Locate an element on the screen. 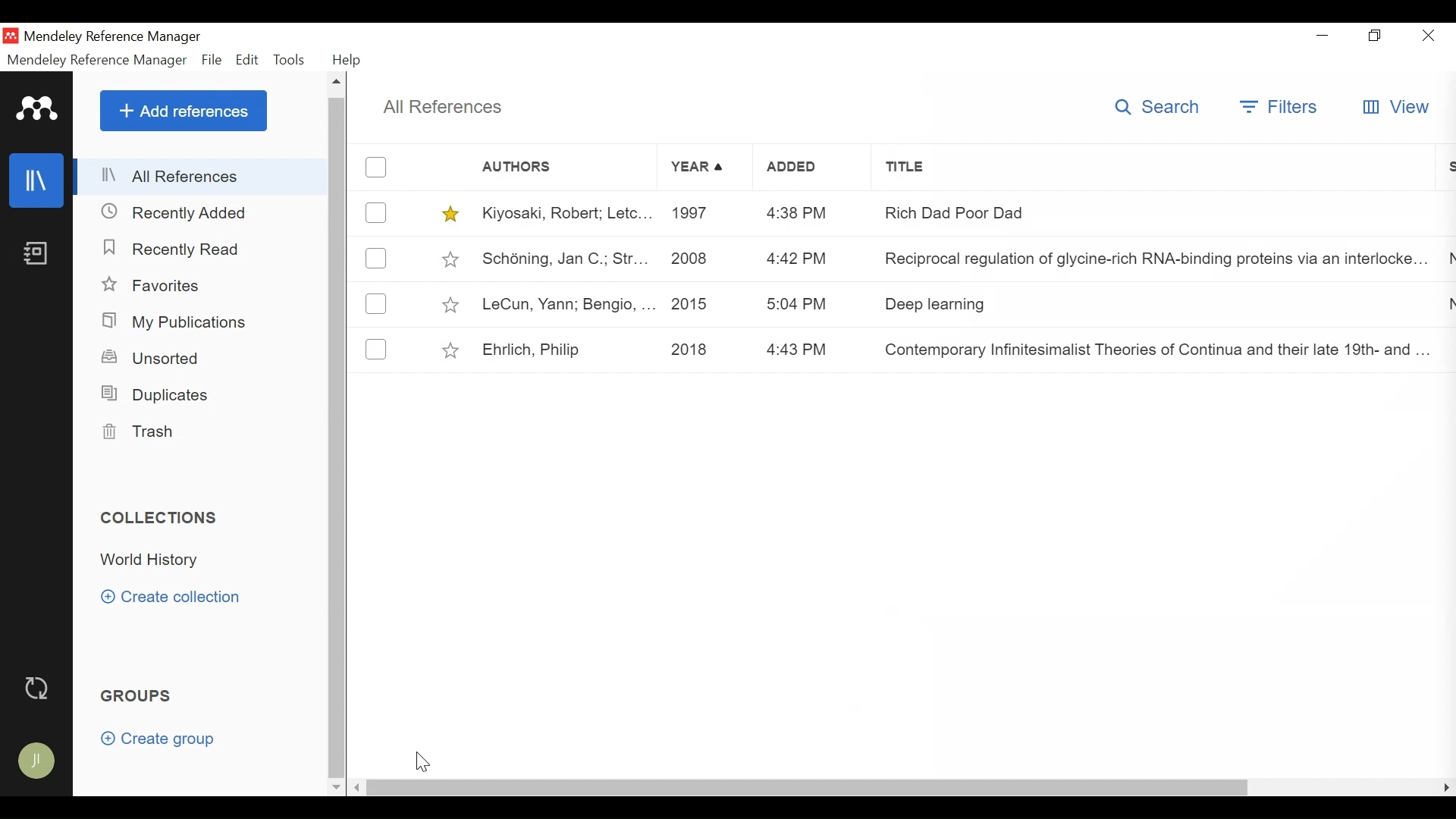 This screenshot has width=1456, height=819. Mendeley Reference Manager is located at coordinates (98, 60).